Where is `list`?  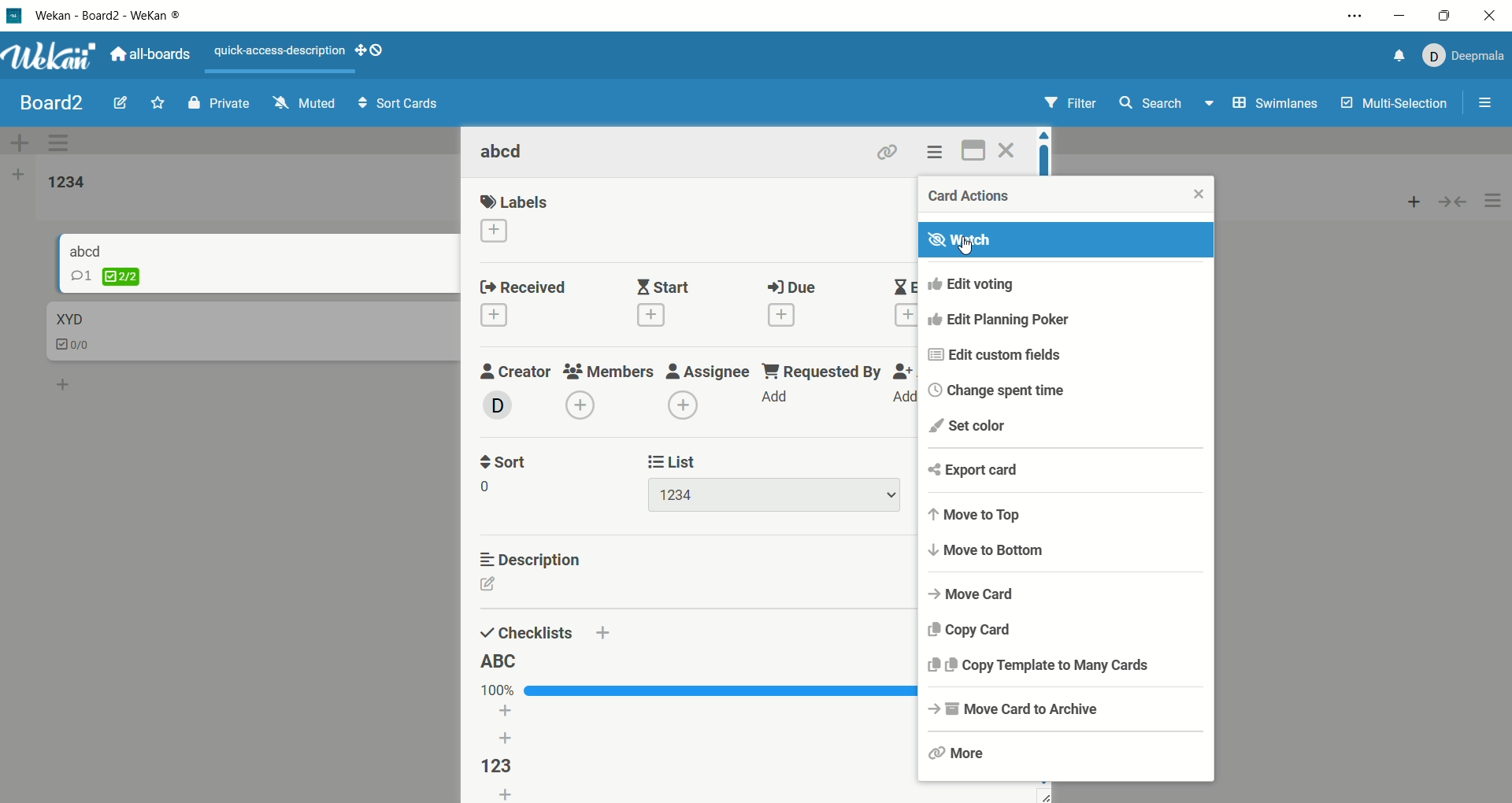 list is located at coordinates (511, 795).